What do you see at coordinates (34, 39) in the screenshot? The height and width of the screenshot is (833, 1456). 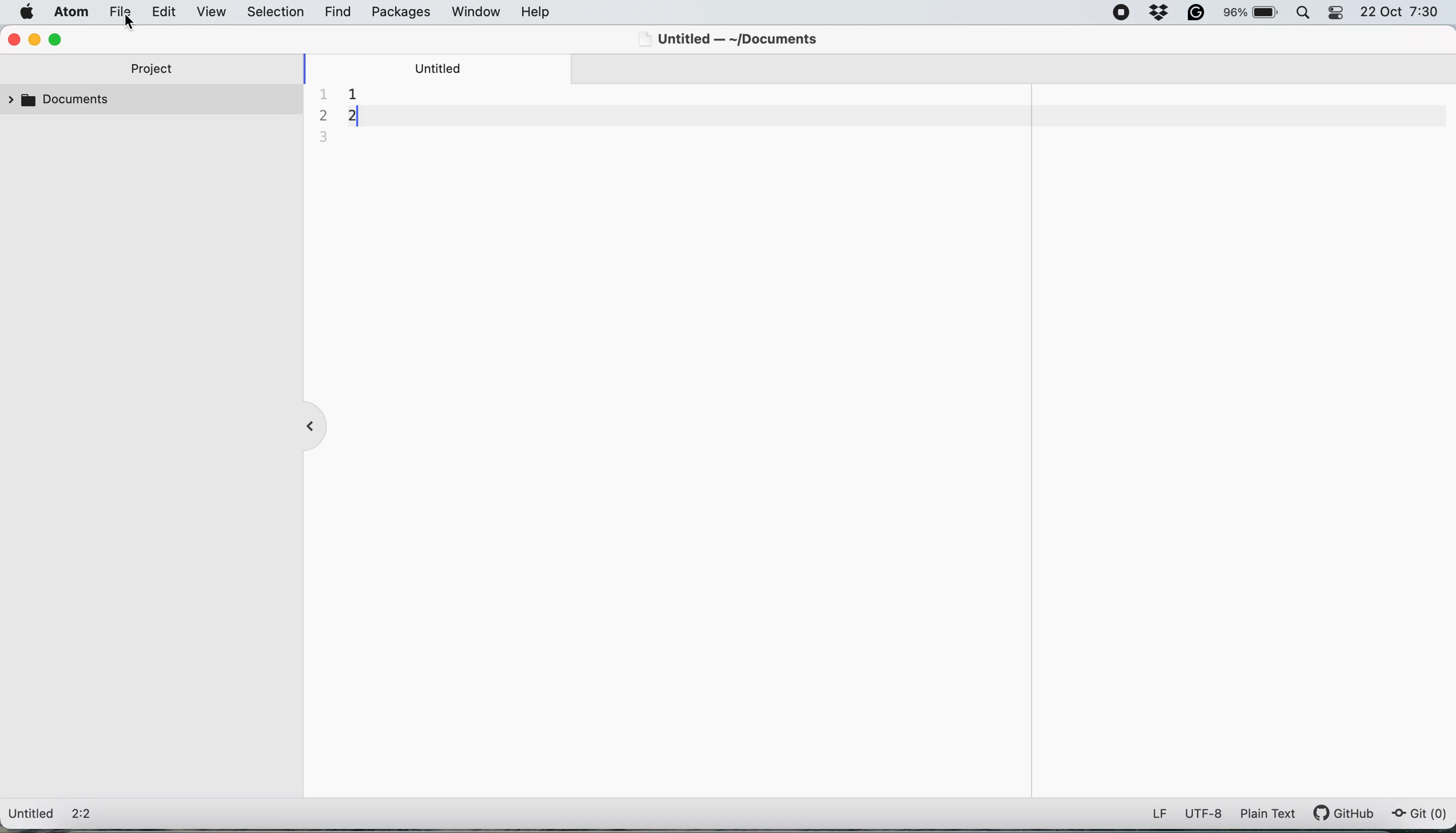 I see `minimise` at bounding box center [34, 39].